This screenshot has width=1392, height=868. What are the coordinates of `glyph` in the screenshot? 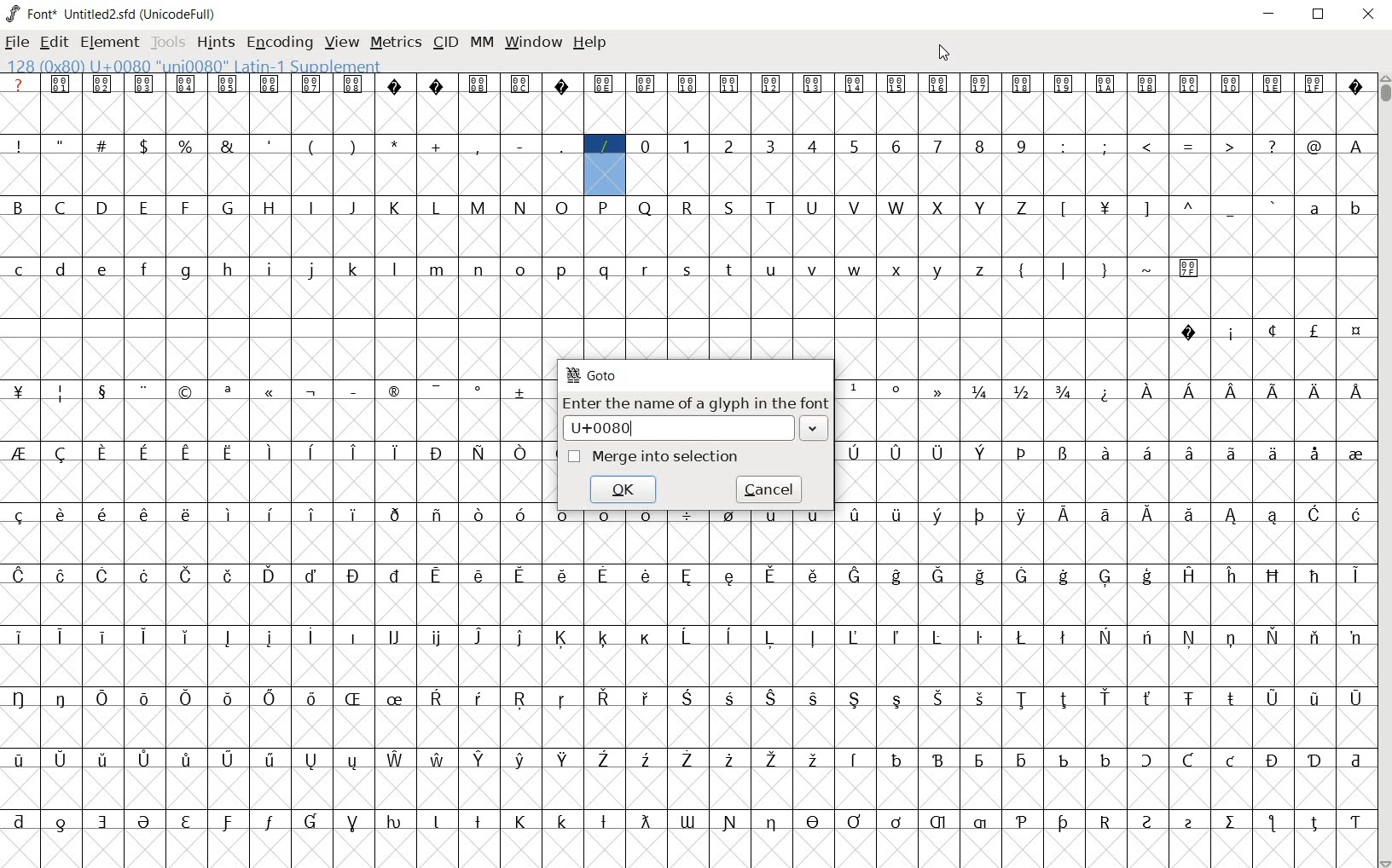 It's located at (310, 514).